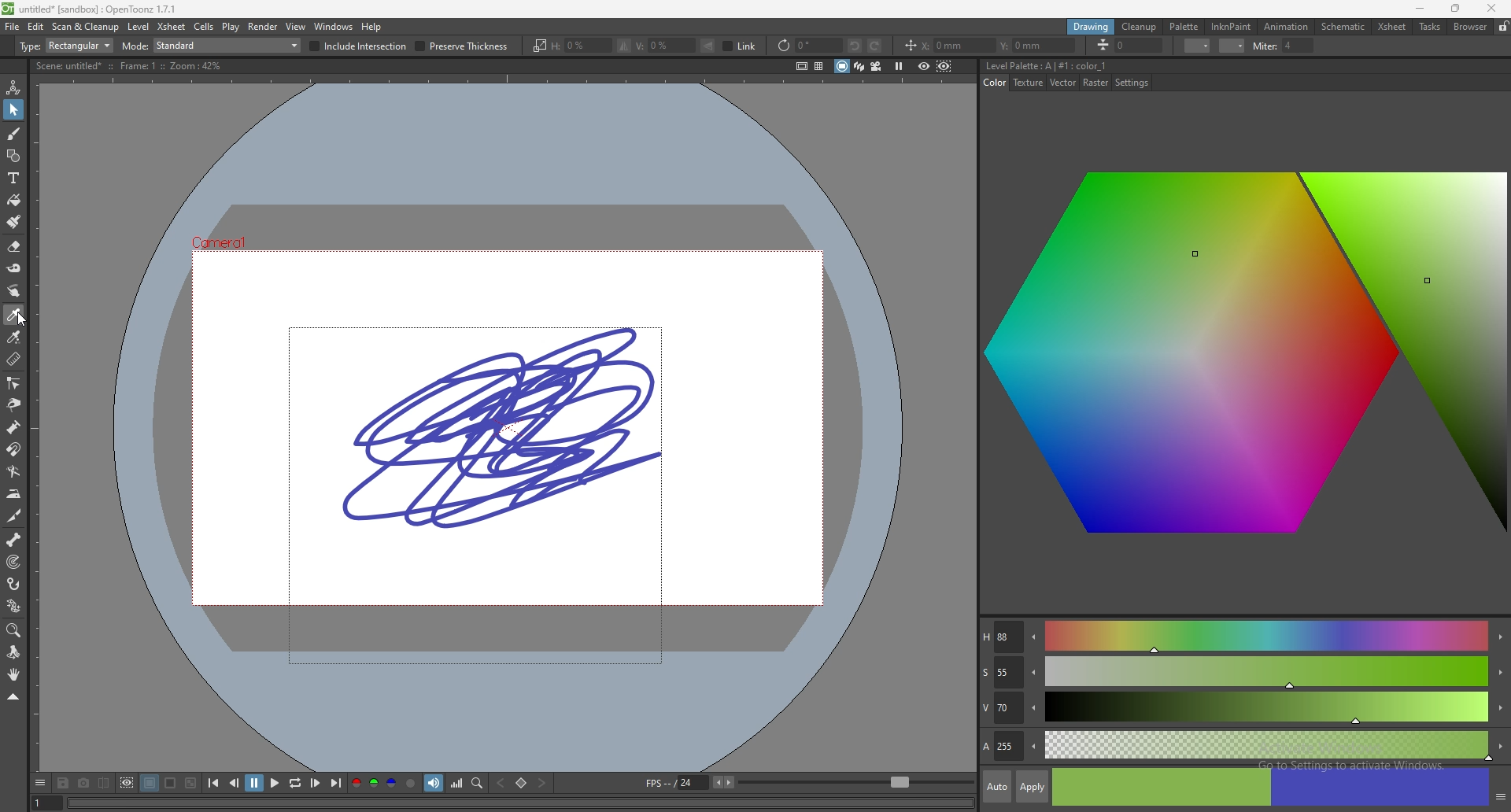 Image resolution: width=1511 pixels, height=812 pixels. I want to click on scan and cleanup, so click(87, 26).